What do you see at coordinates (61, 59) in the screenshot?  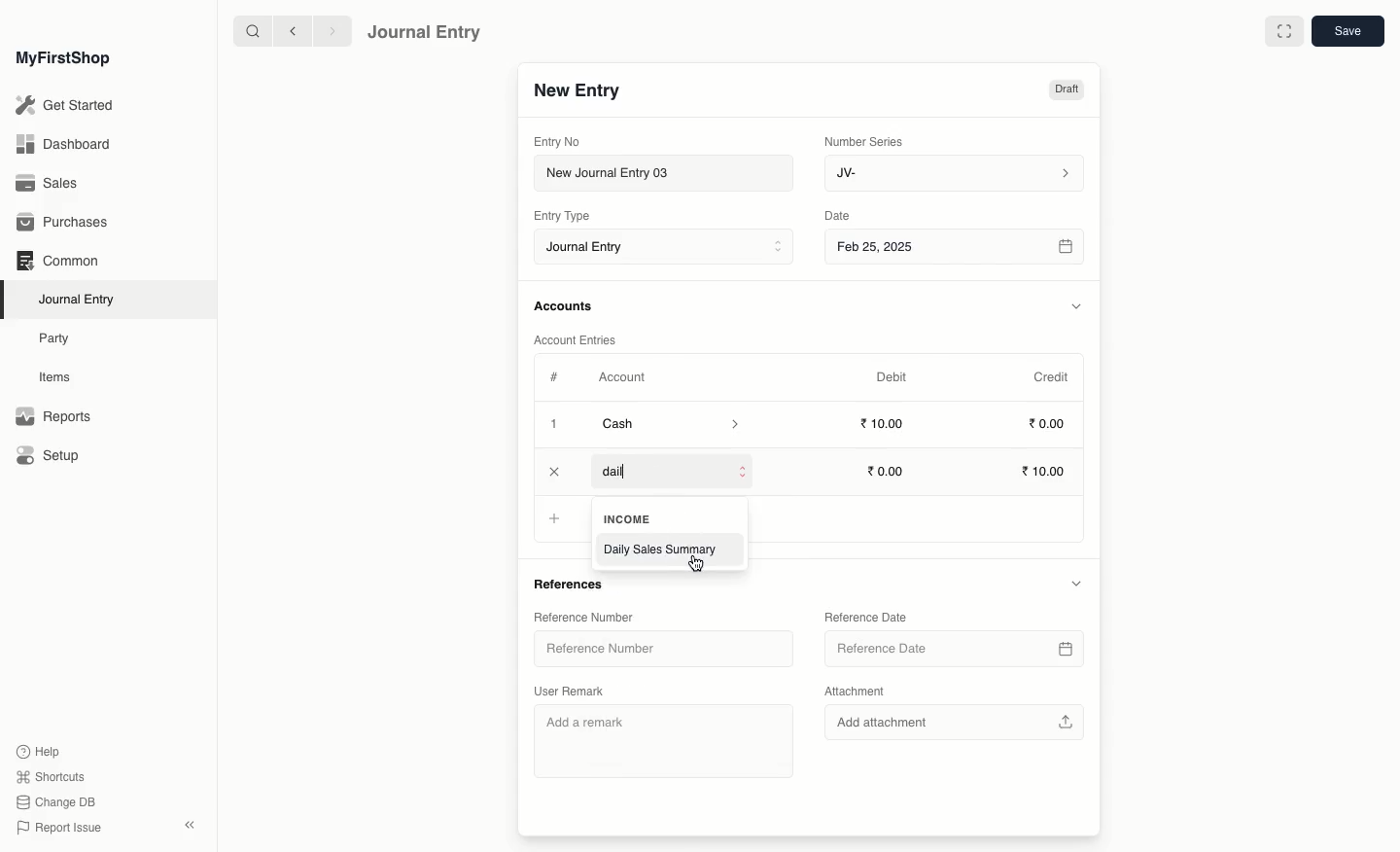 I see `MyFirstShop` at bounding box center [61, 59].